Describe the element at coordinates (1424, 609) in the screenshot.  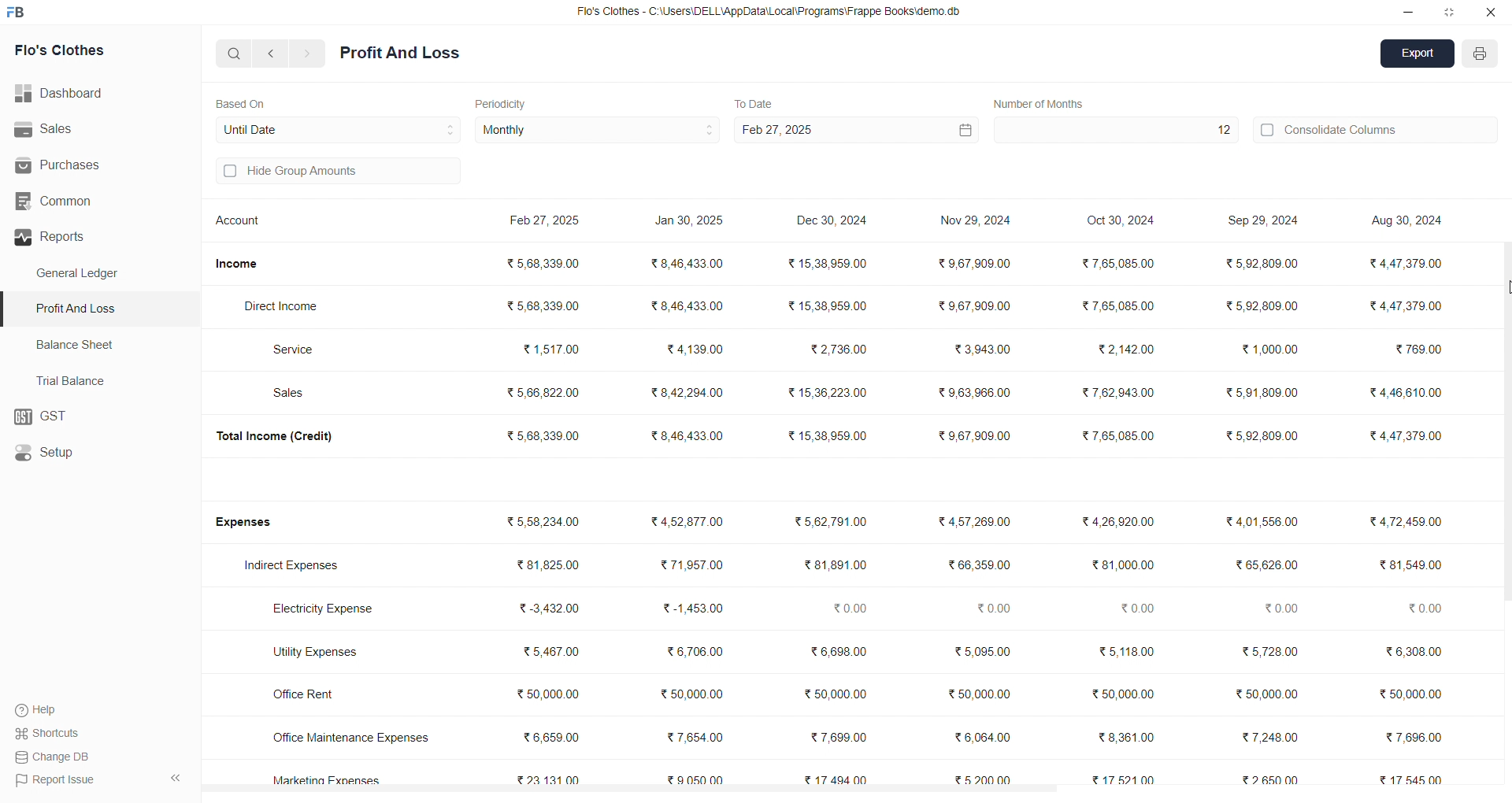
I see `20.00` at that location.